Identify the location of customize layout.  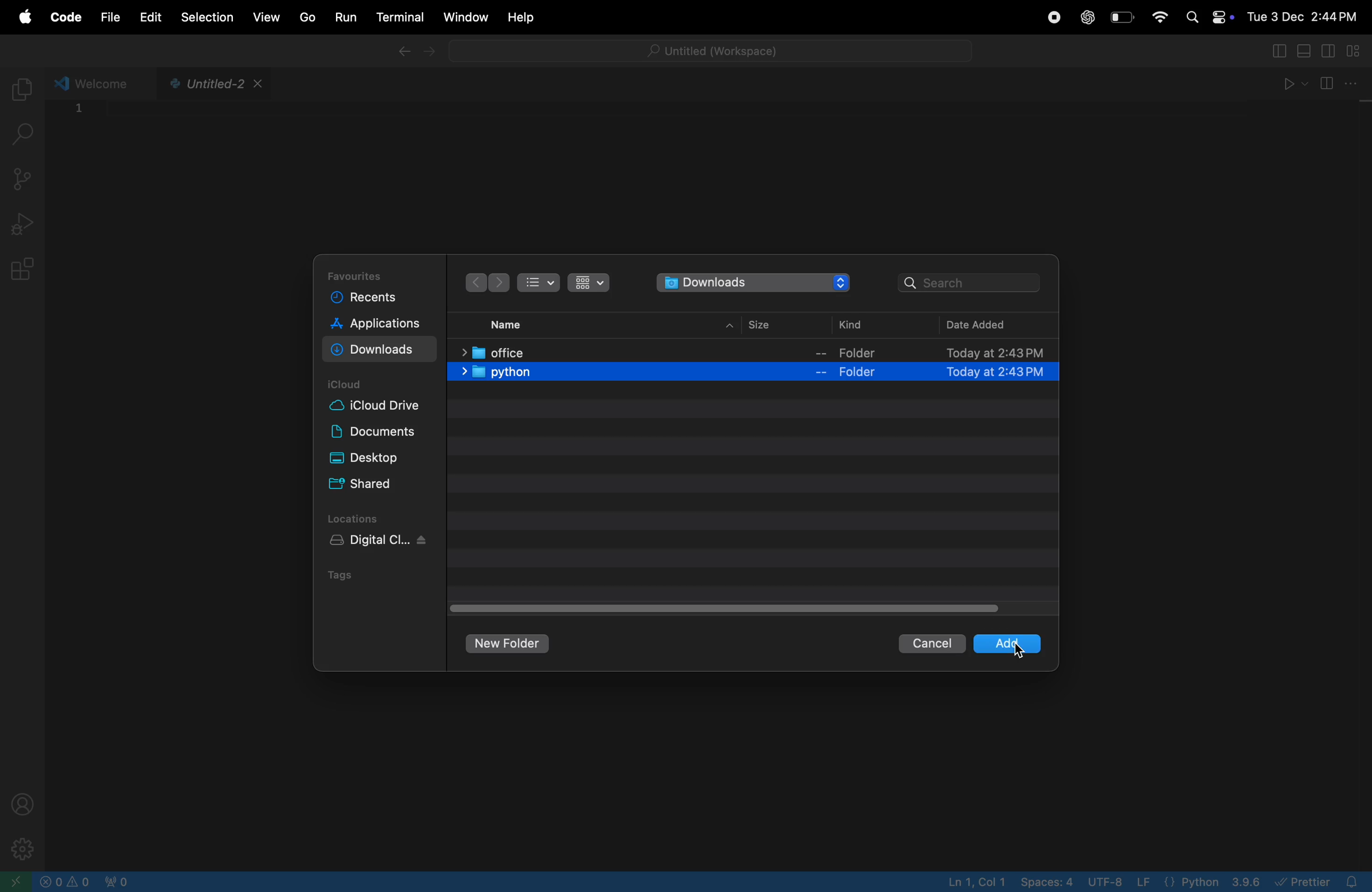
(1358, 50).